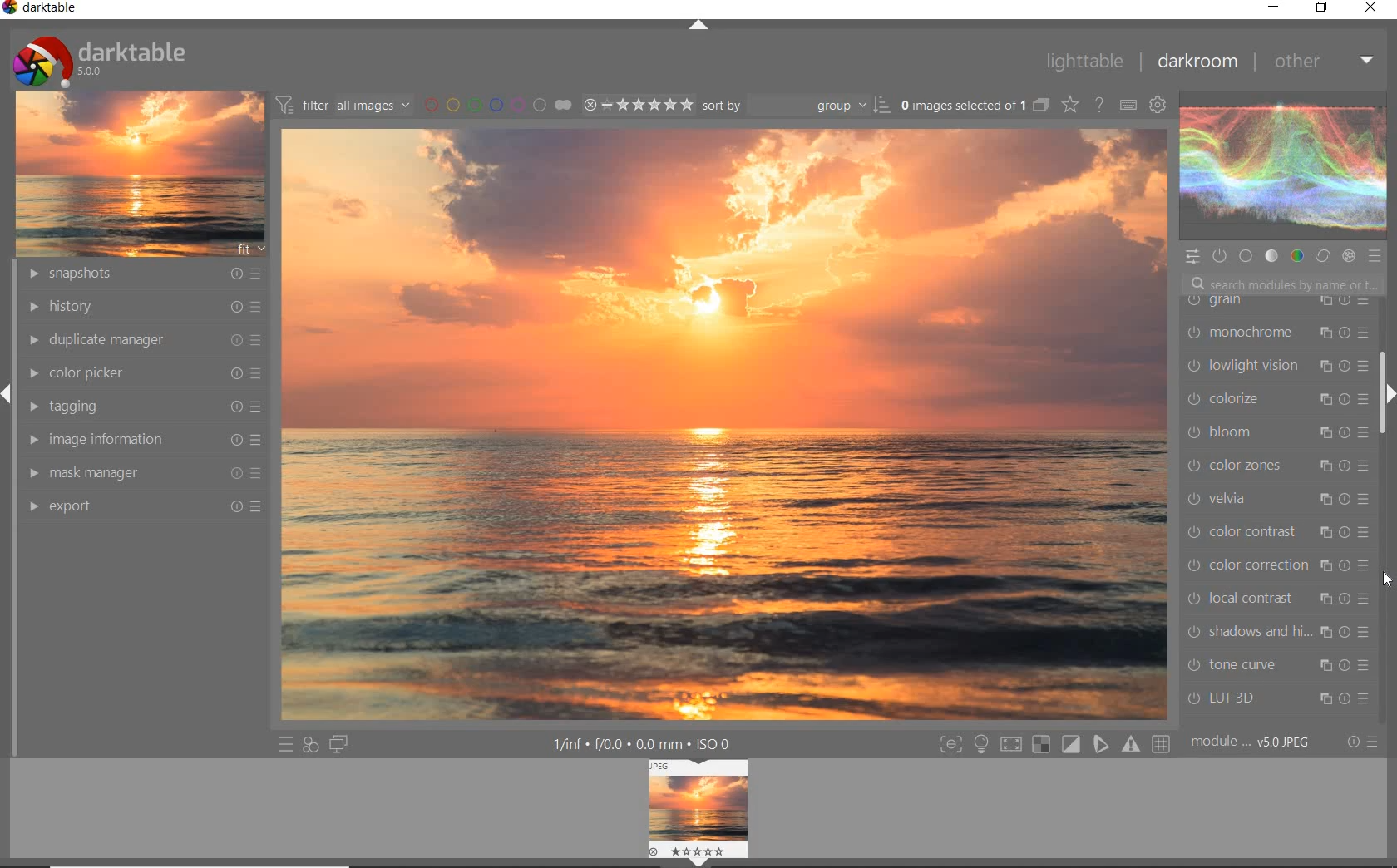  Describe the element at coordinates (148, 372) in the screenshot. I see `COLOR PICKER` at that location.